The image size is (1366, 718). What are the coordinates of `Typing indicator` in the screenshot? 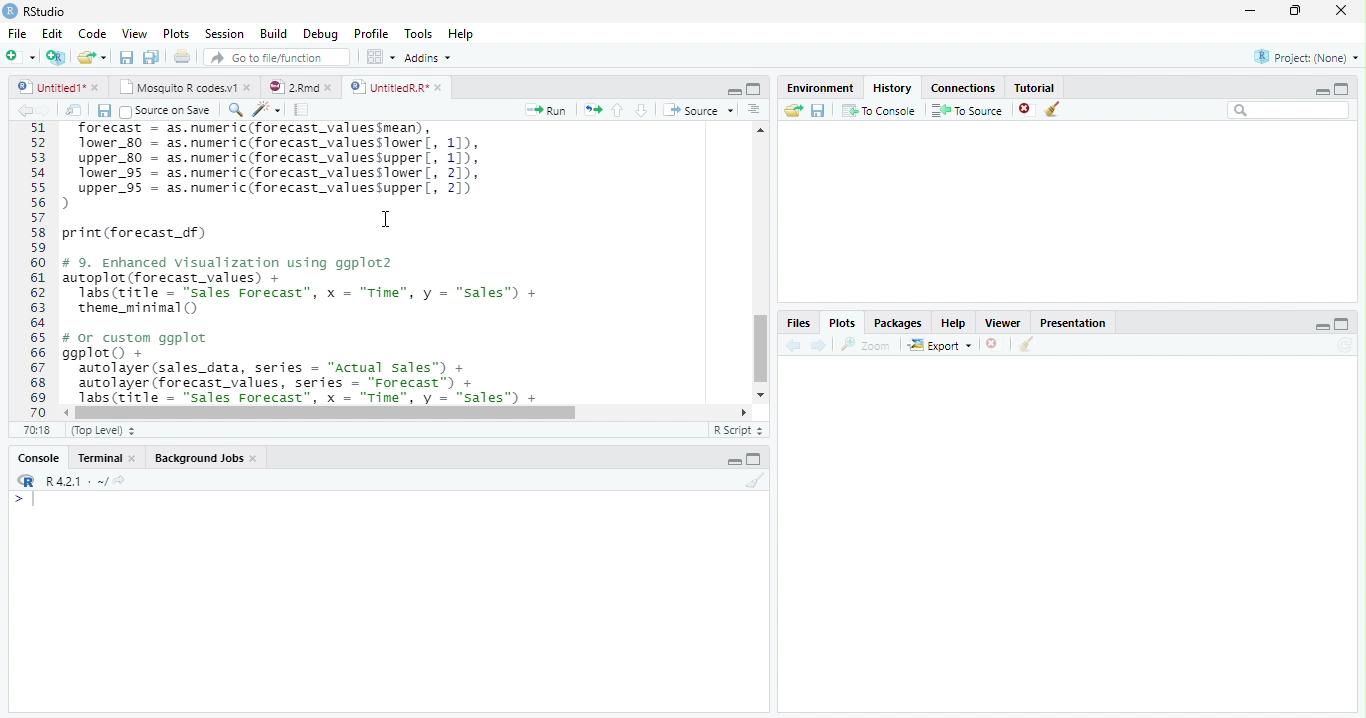 It's located at (28, 502).